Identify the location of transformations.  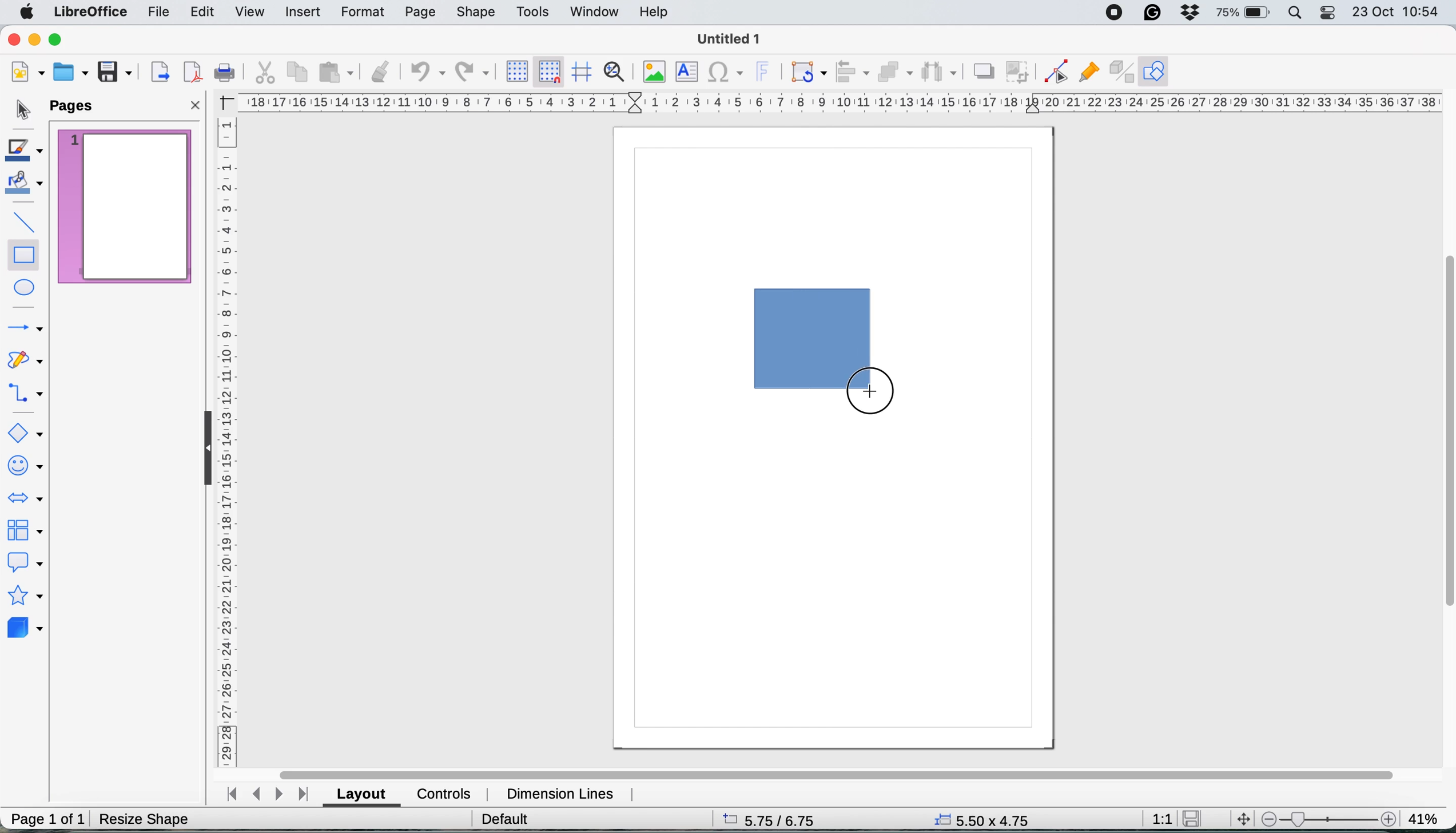
(807, 73).